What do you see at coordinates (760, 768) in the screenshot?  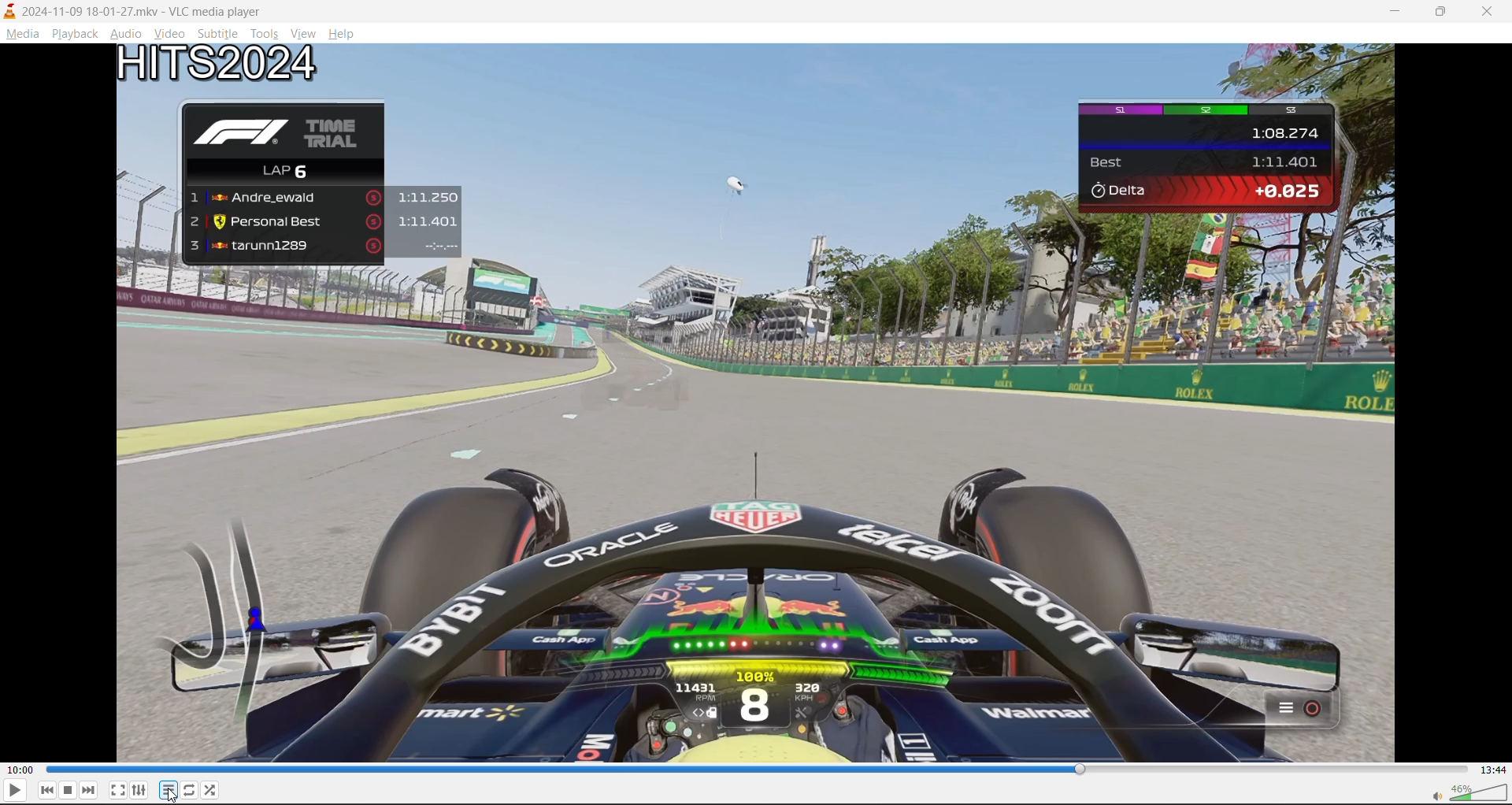 I see `track slider` at bounding box center [760, 768].